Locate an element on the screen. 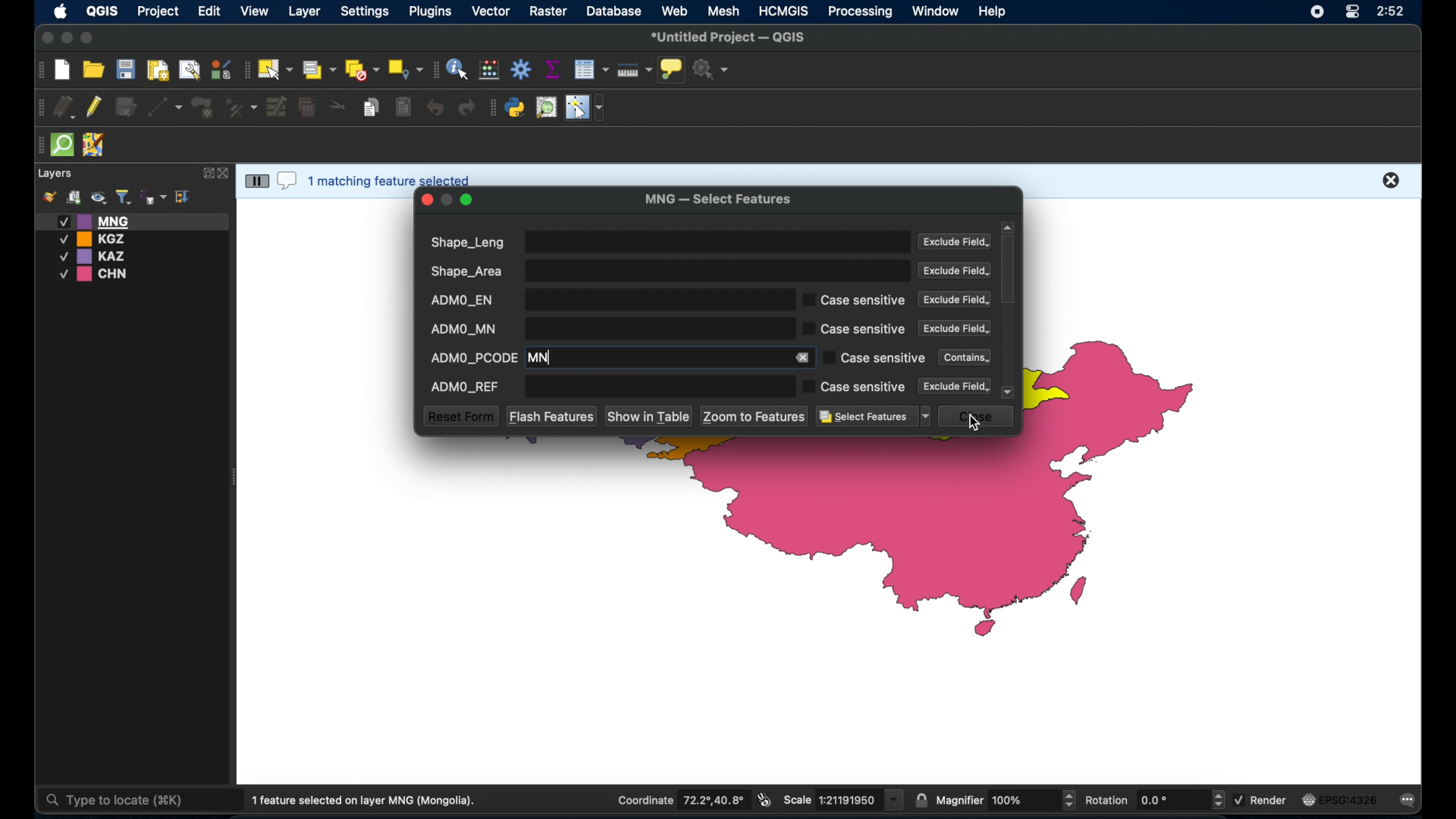 Image resolution: width=1456 pixels, height=819 pixels. split features is located at coordinates (338, 108).